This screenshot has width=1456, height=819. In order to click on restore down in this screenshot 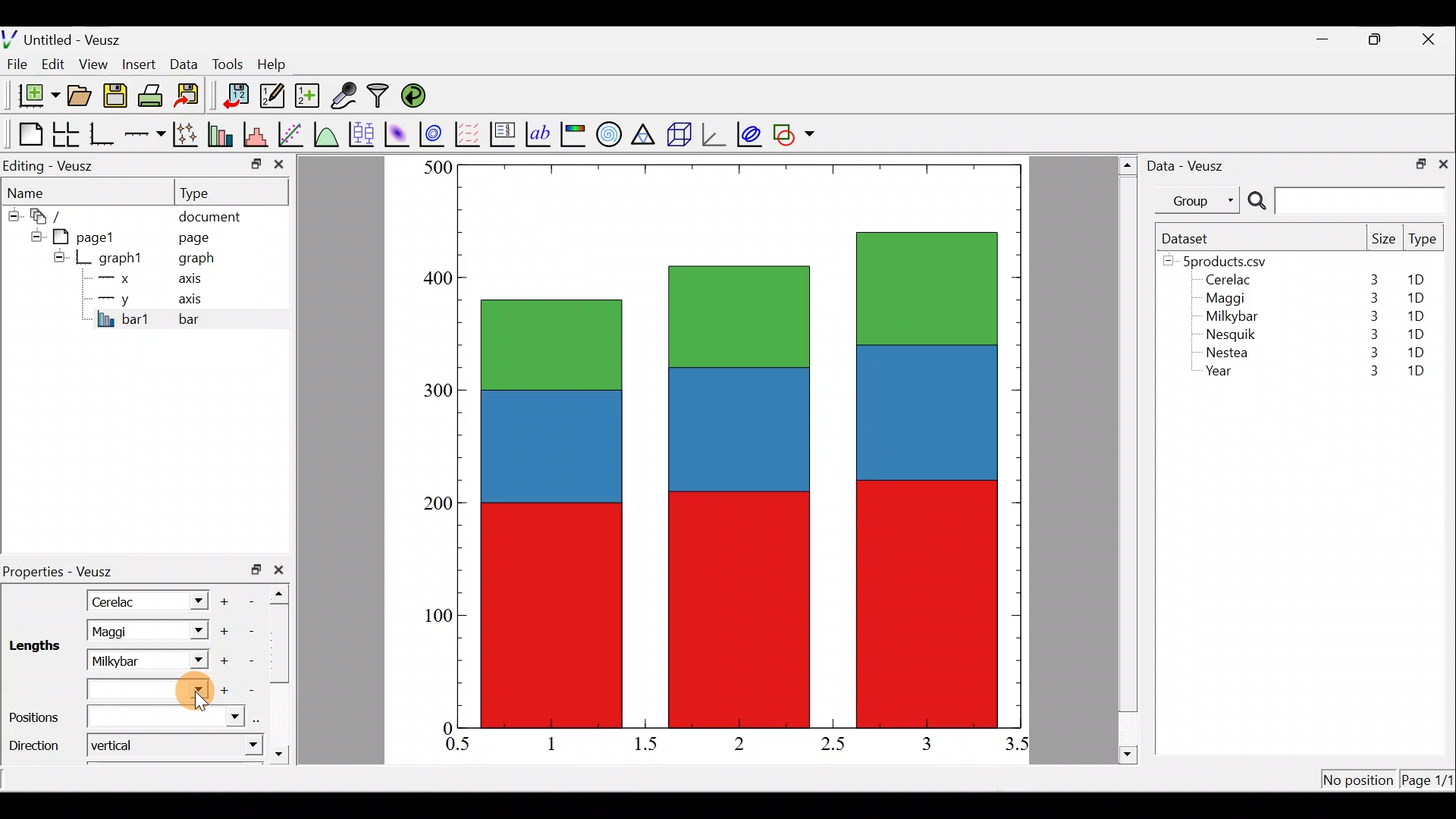, I will do `click(256, 570)`.